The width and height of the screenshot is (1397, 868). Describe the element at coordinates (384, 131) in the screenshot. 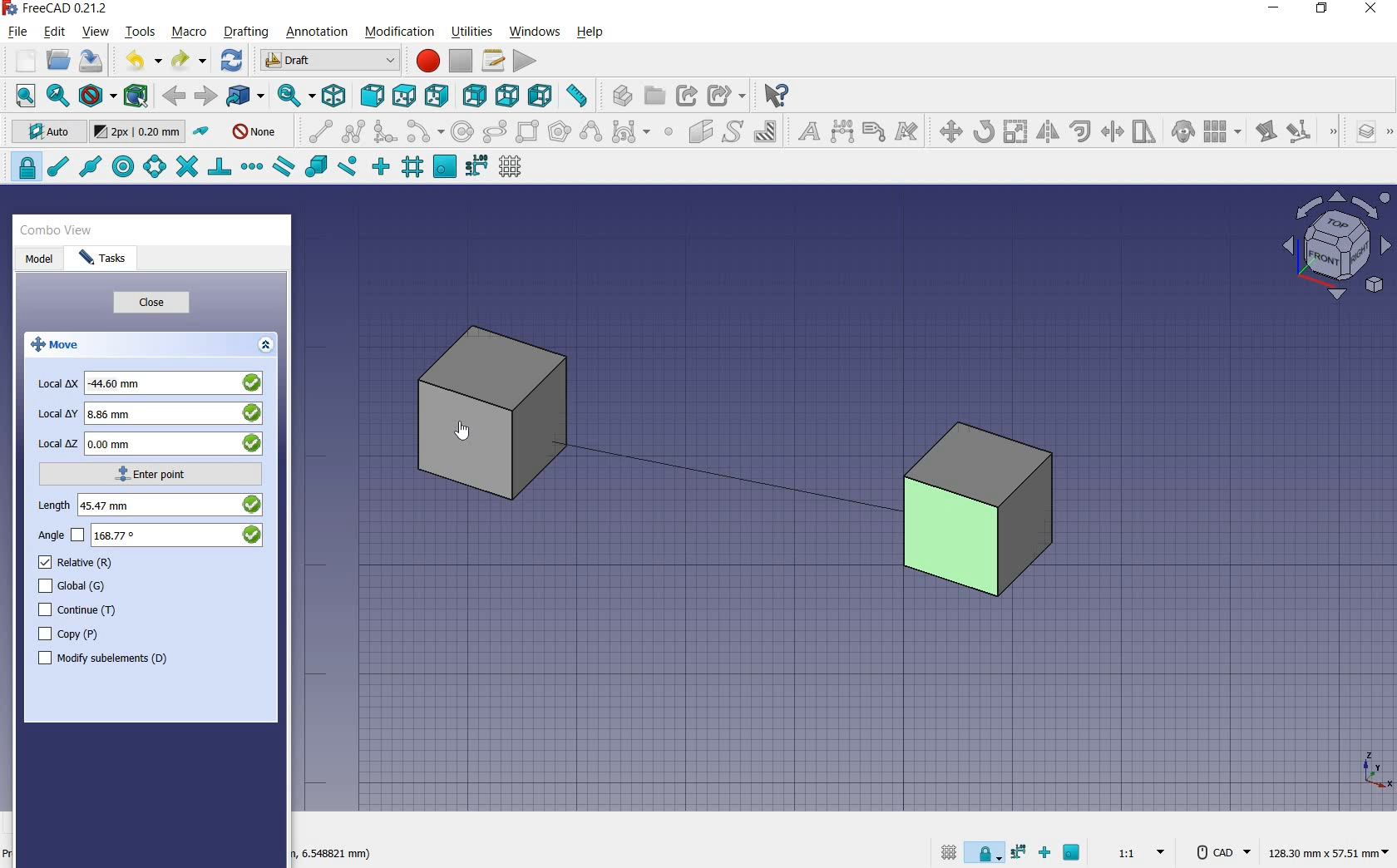

I see `fillet` at that location.